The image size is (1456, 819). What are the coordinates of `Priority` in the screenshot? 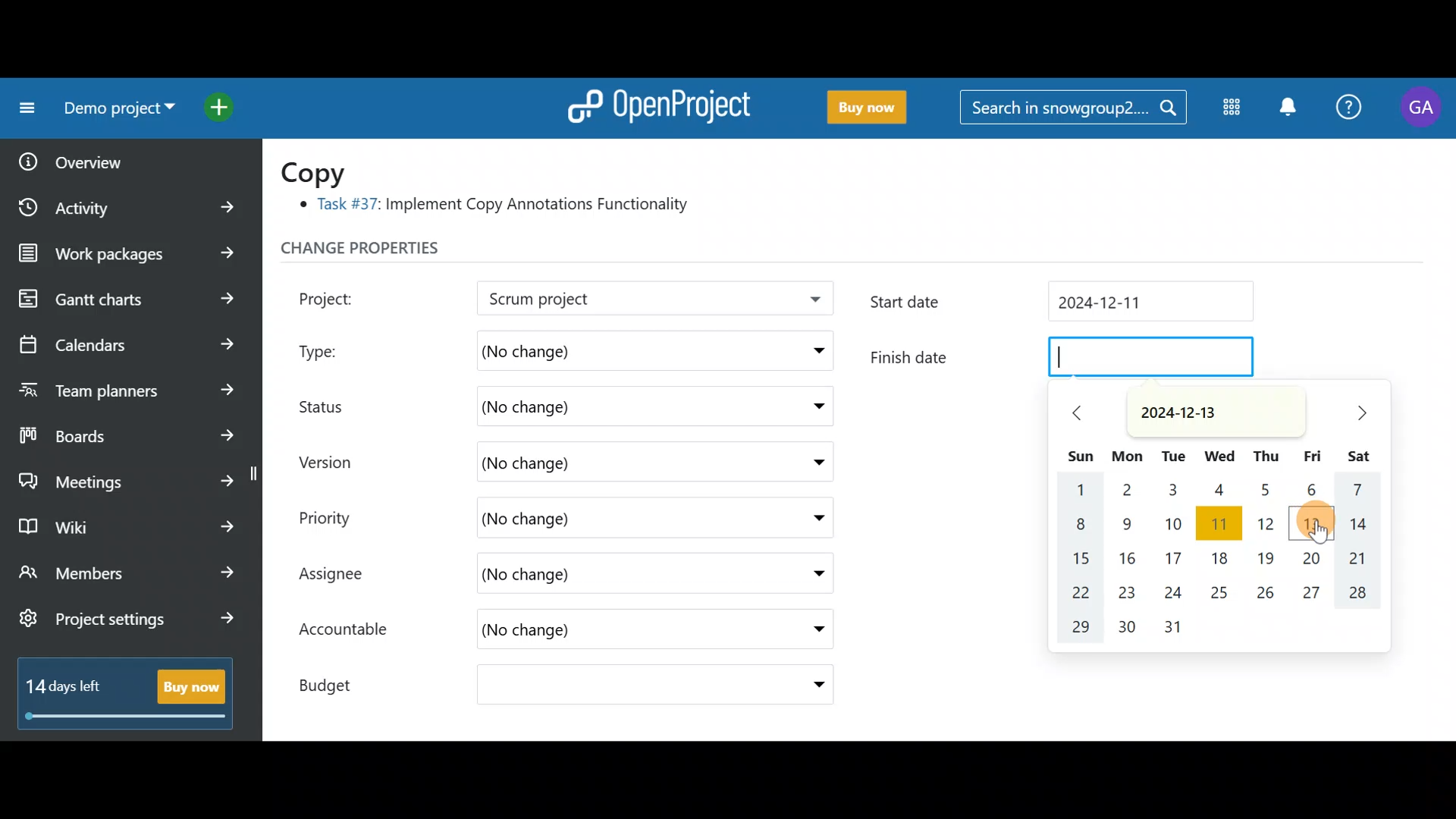 It's located at (341, 516).